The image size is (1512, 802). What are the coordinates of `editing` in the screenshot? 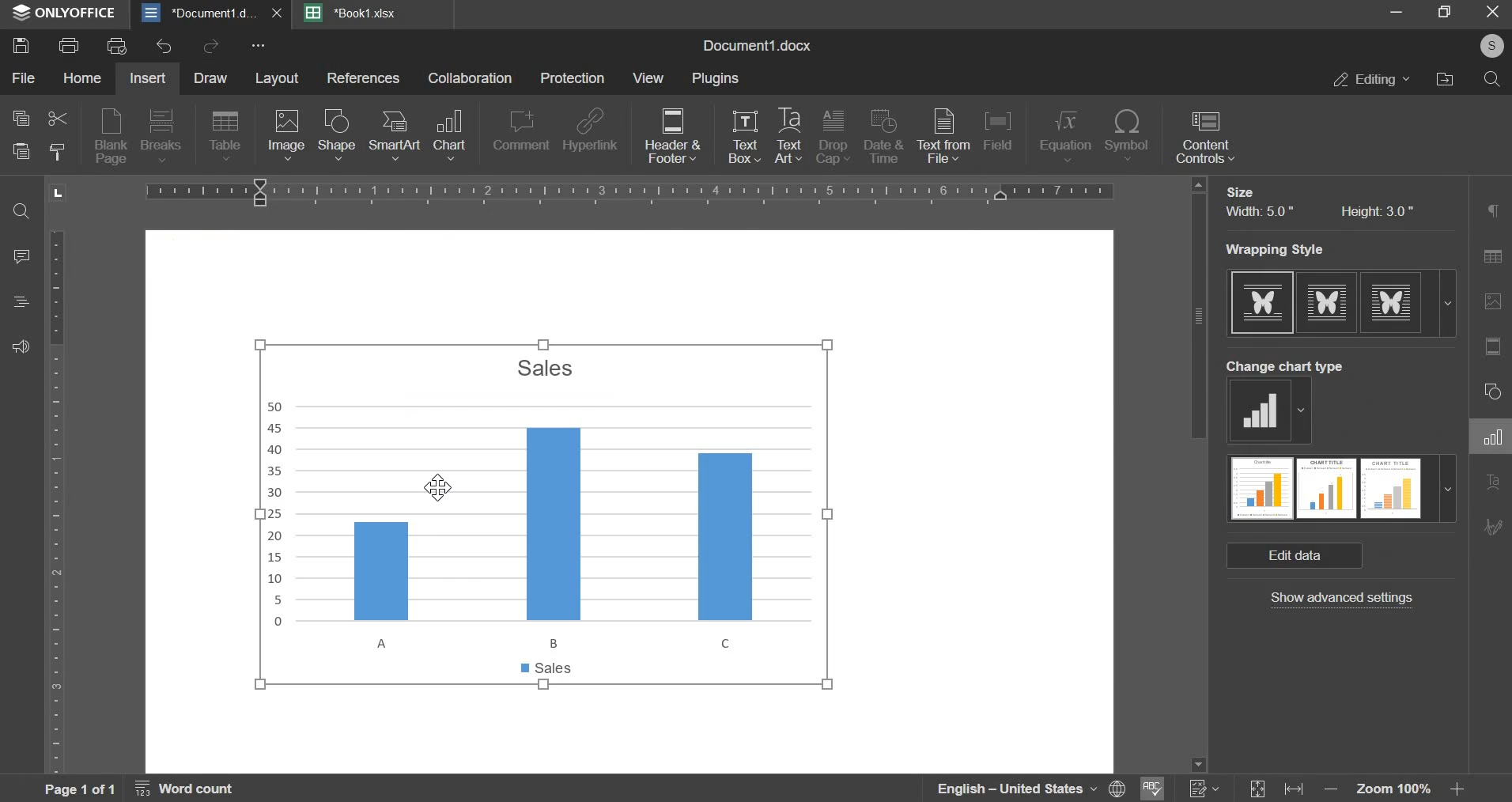 It's located at (1372, 80).